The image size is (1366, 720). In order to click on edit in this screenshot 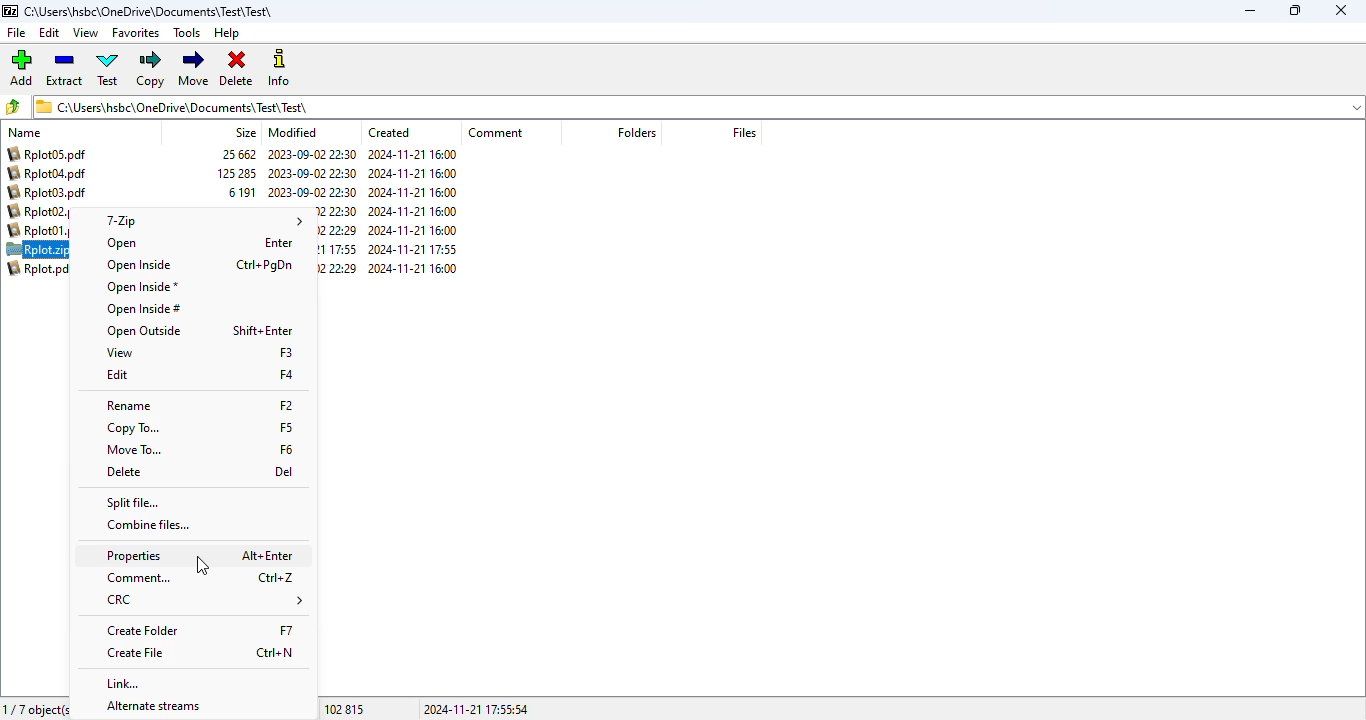, I will do `click(50, 33)`.